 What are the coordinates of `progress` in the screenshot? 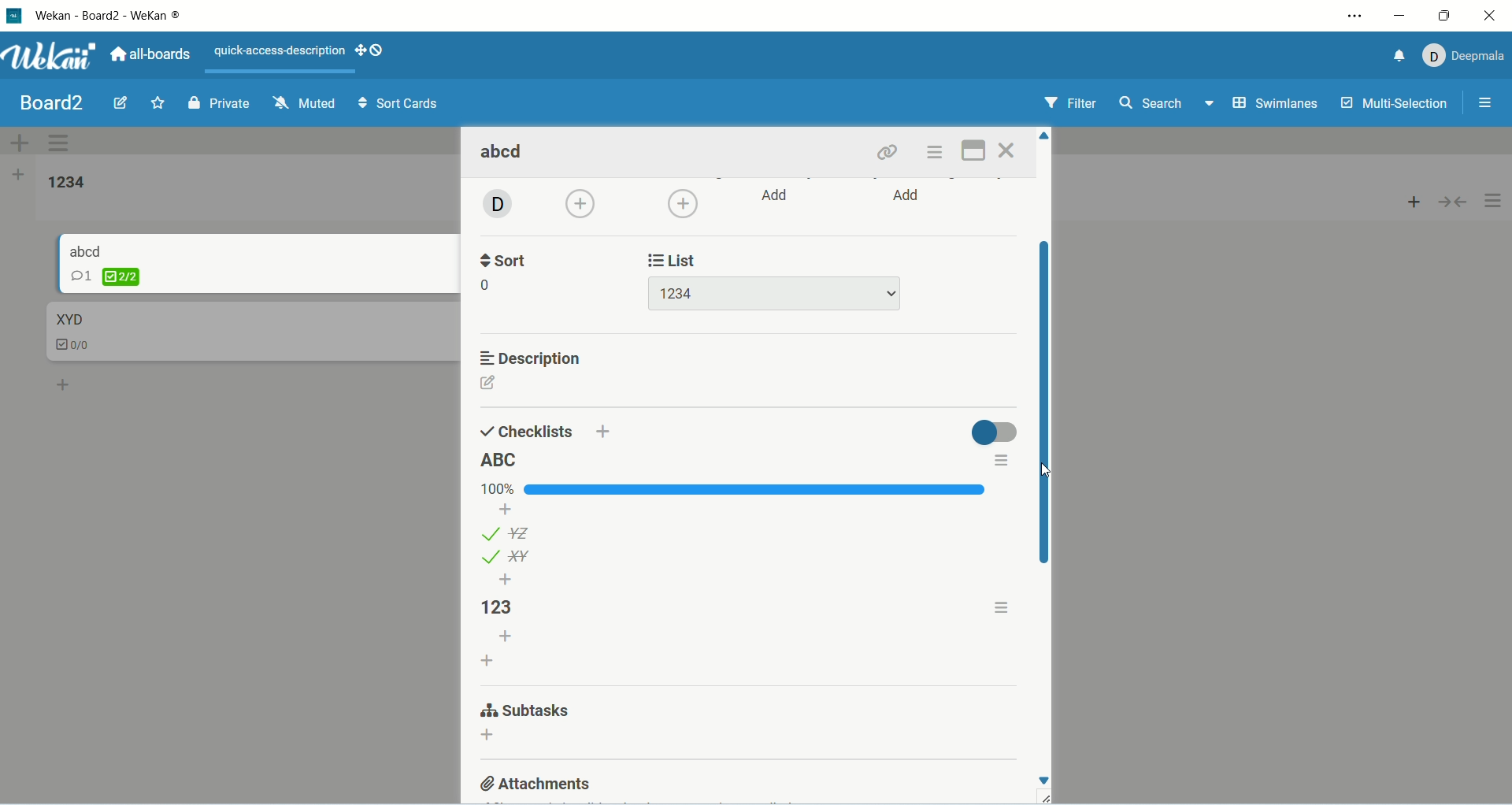 It's located at (736, 489).